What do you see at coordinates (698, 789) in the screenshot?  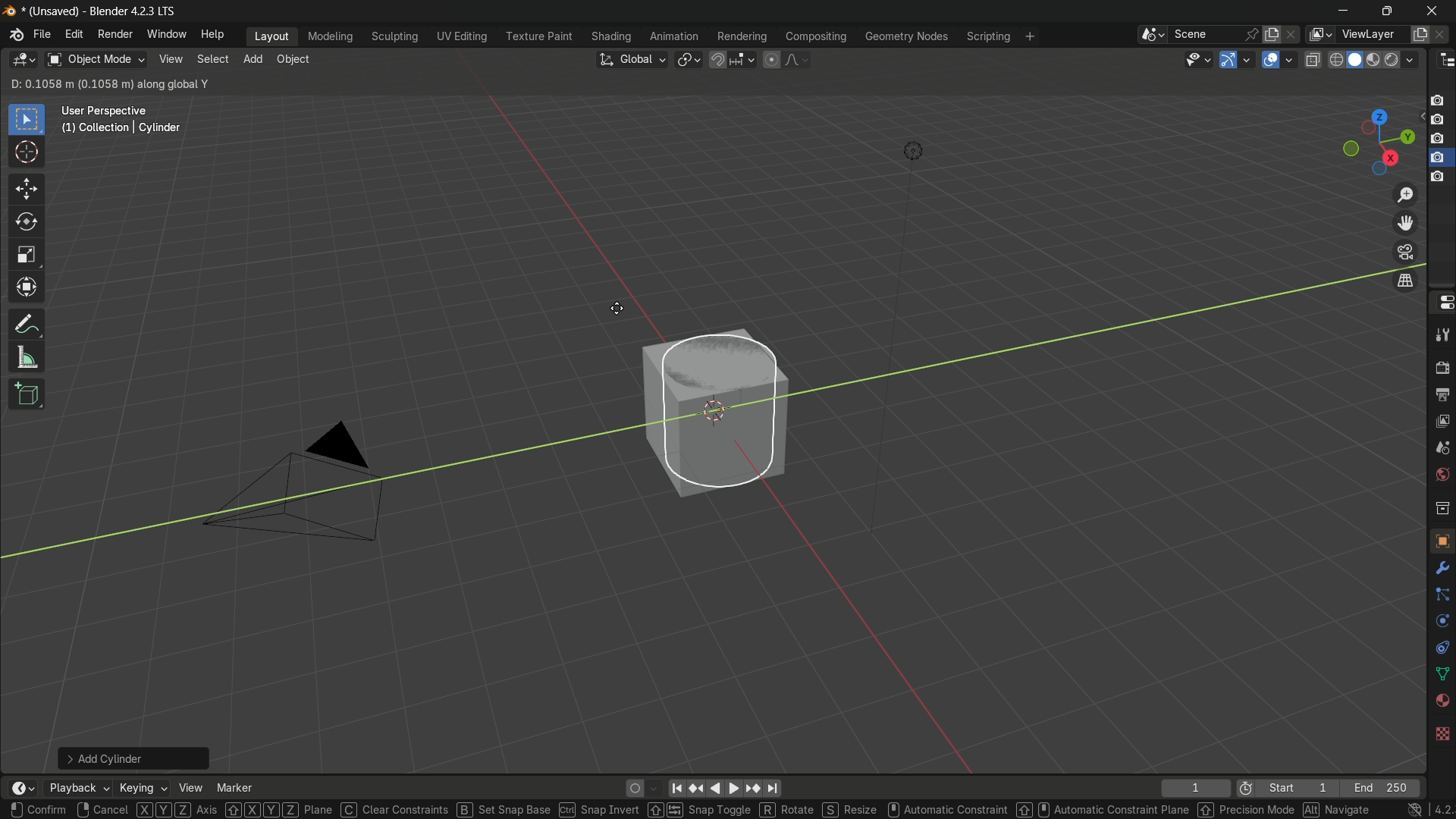 I see `reset` at bounding box center [698, 789].